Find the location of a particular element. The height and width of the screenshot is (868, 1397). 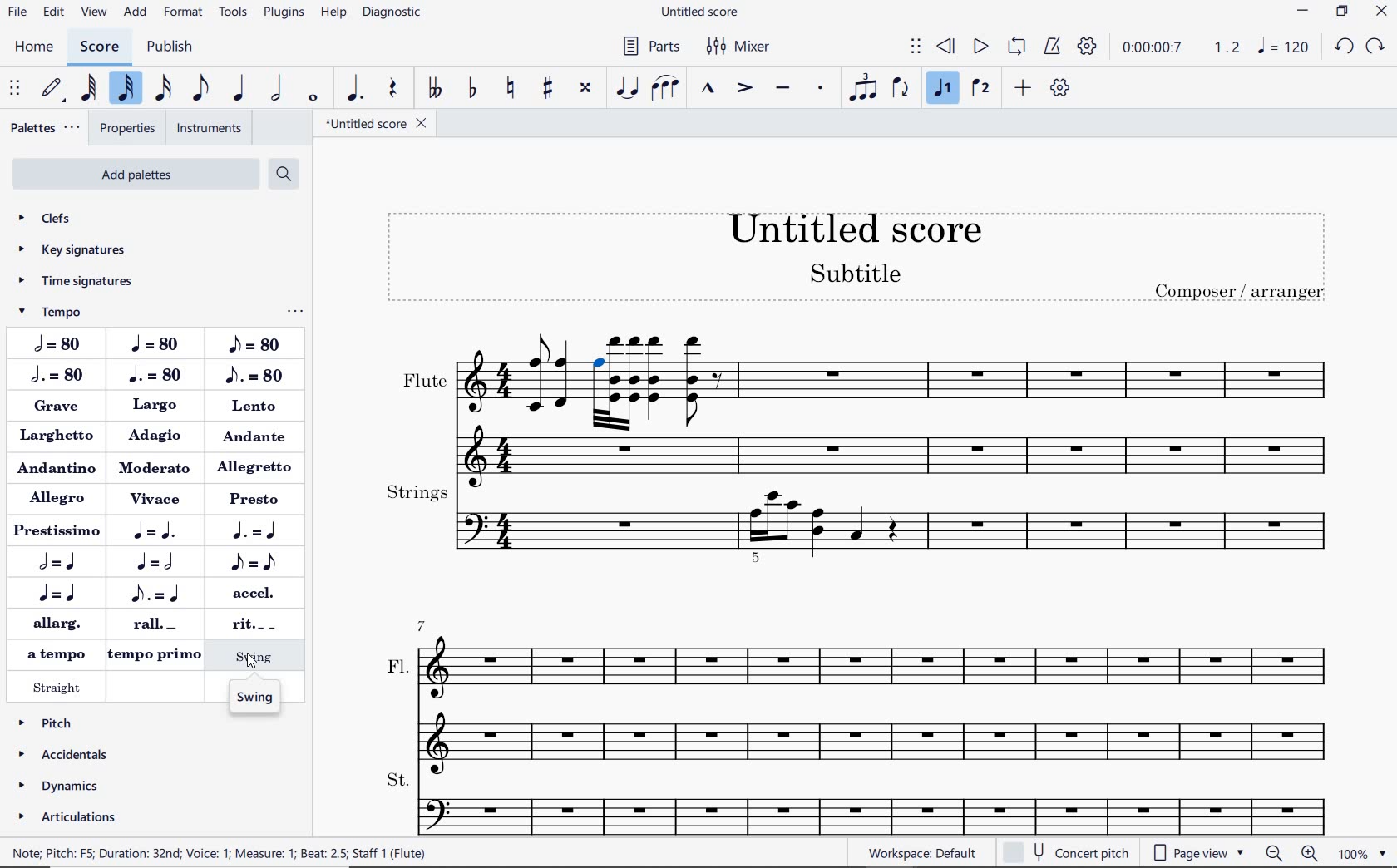

WORKSPACE: DEFAULT is located at coordinates (924, 853).